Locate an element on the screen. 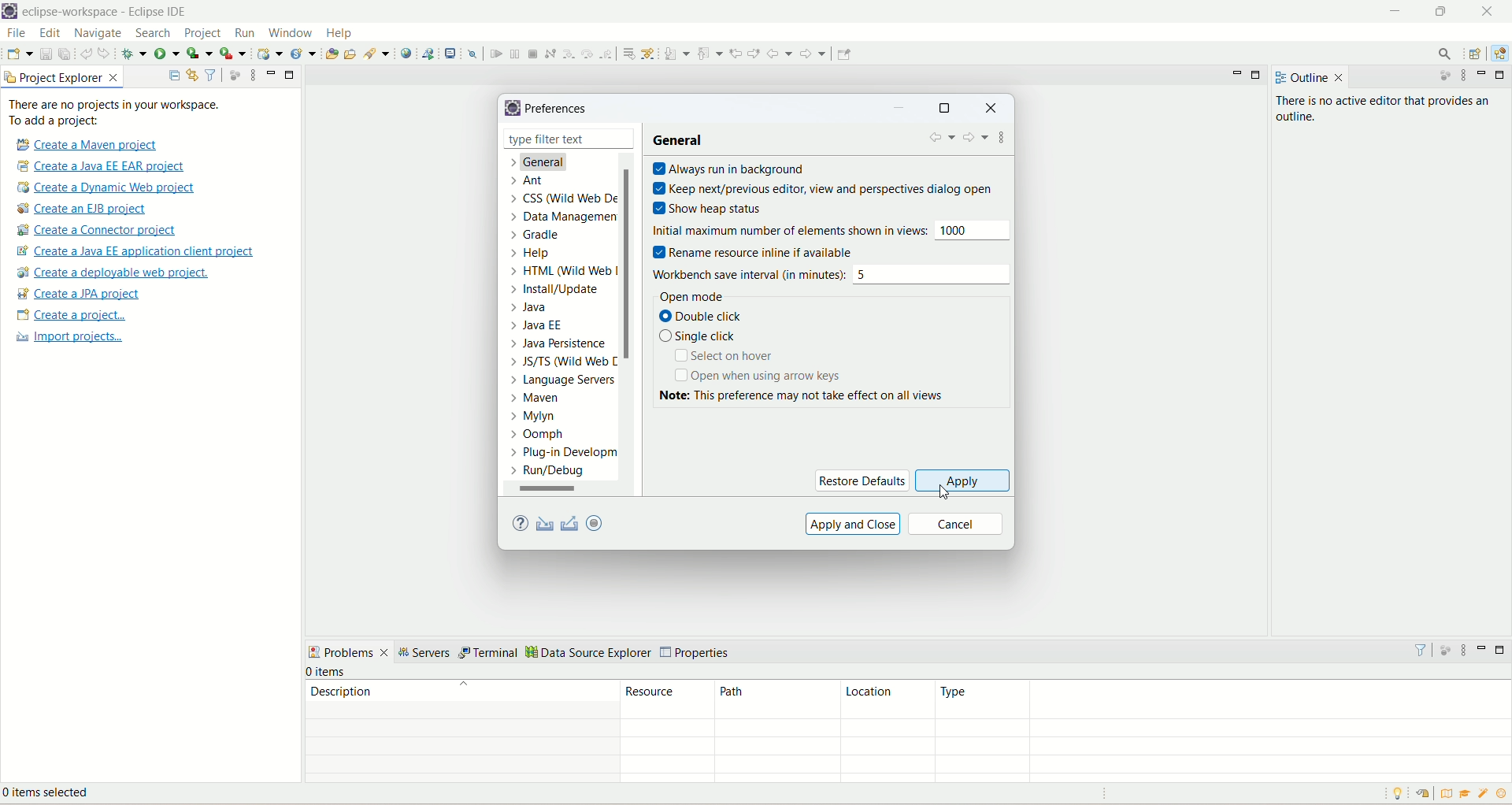 The width and height of the screenshot is (1512, 805). problems is located at coordinates (349, 651).